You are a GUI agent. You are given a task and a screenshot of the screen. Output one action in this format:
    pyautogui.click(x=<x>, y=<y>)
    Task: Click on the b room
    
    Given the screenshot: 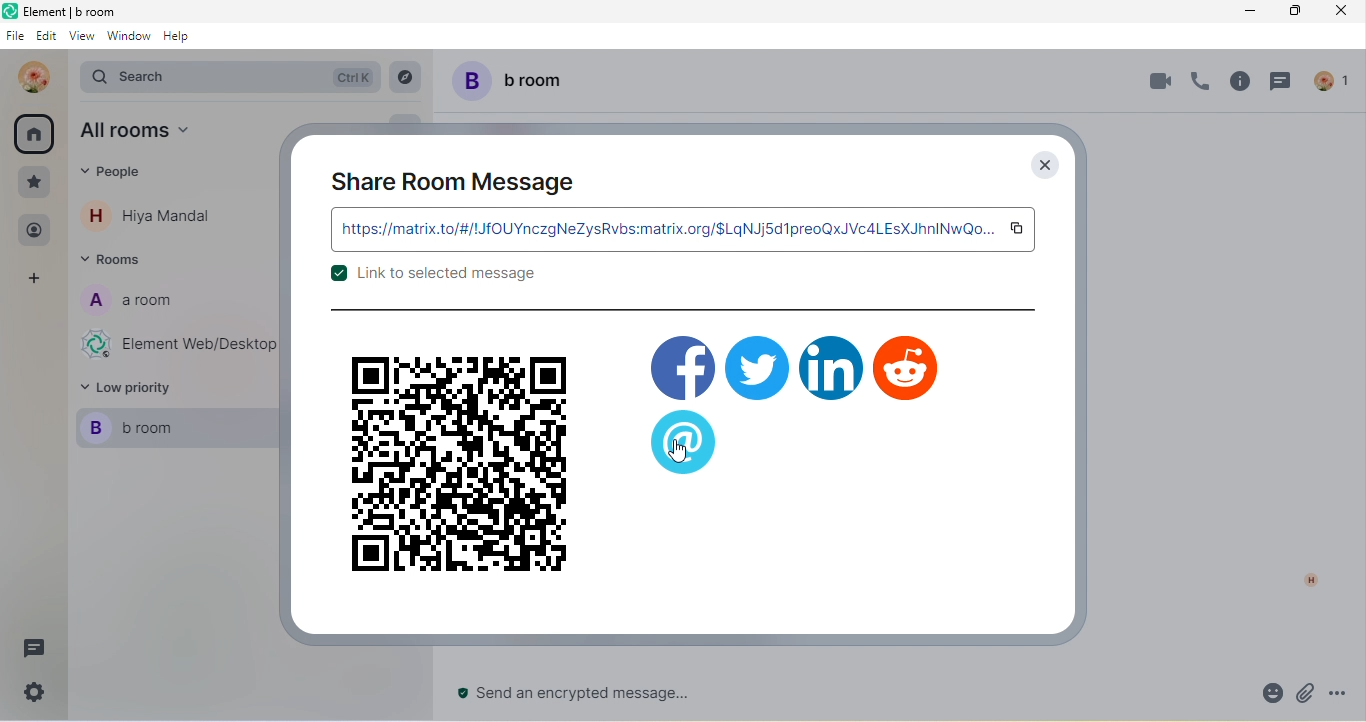 What is the action you would take?
    pyautogui.click(x=167, y=428)
    